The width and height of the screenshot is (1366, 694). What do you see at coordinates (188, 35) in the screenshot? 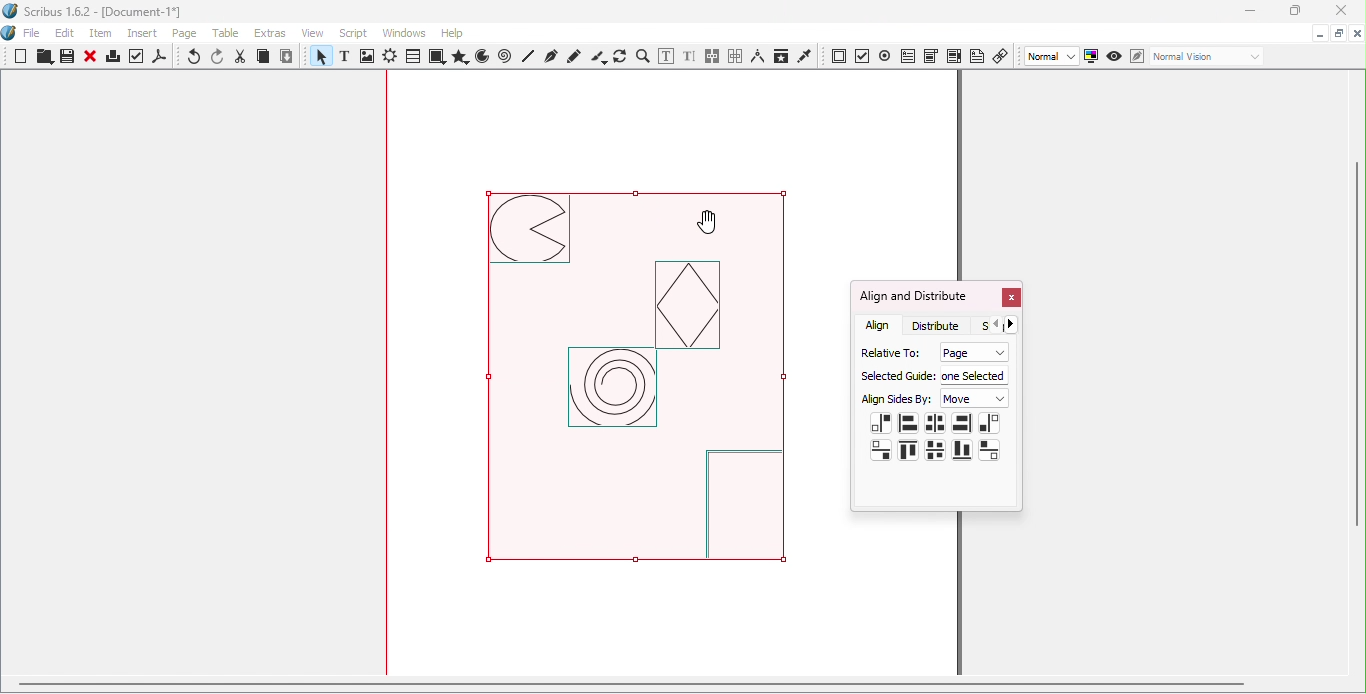
I see `Page` at bounding box center [188, 35].